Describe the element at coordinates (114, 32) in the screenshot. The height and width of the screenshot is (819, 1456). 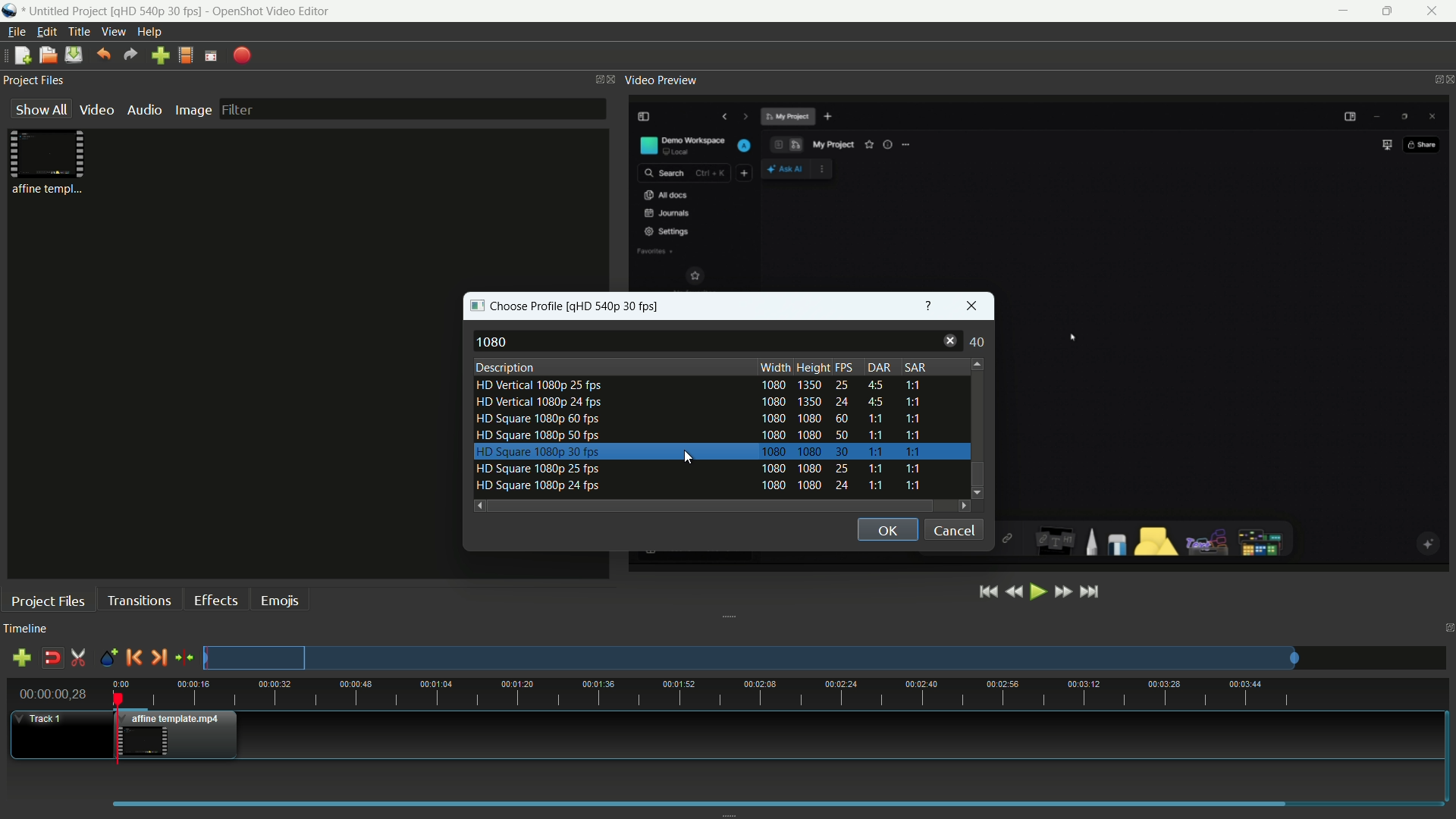
I see `view menu` at that location.